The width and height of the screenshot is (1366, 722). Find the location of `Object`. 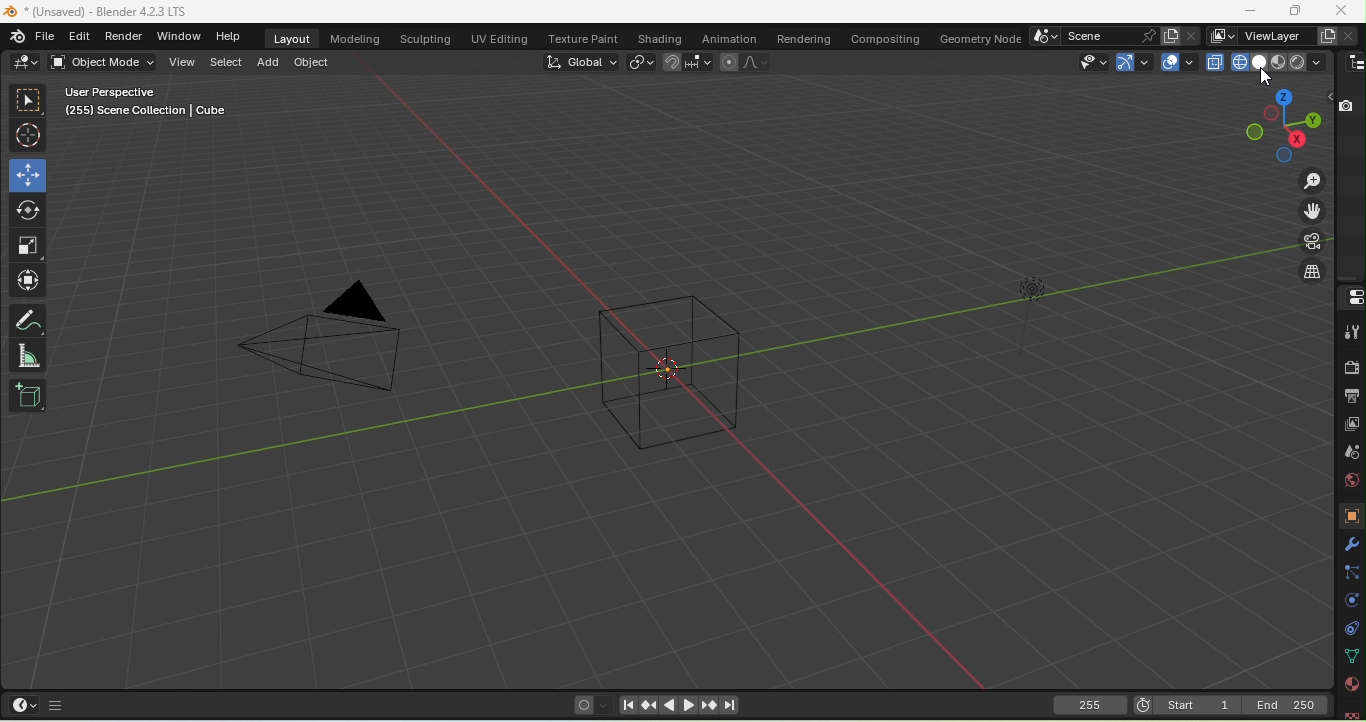

Object is located at coordinates (311, 63).